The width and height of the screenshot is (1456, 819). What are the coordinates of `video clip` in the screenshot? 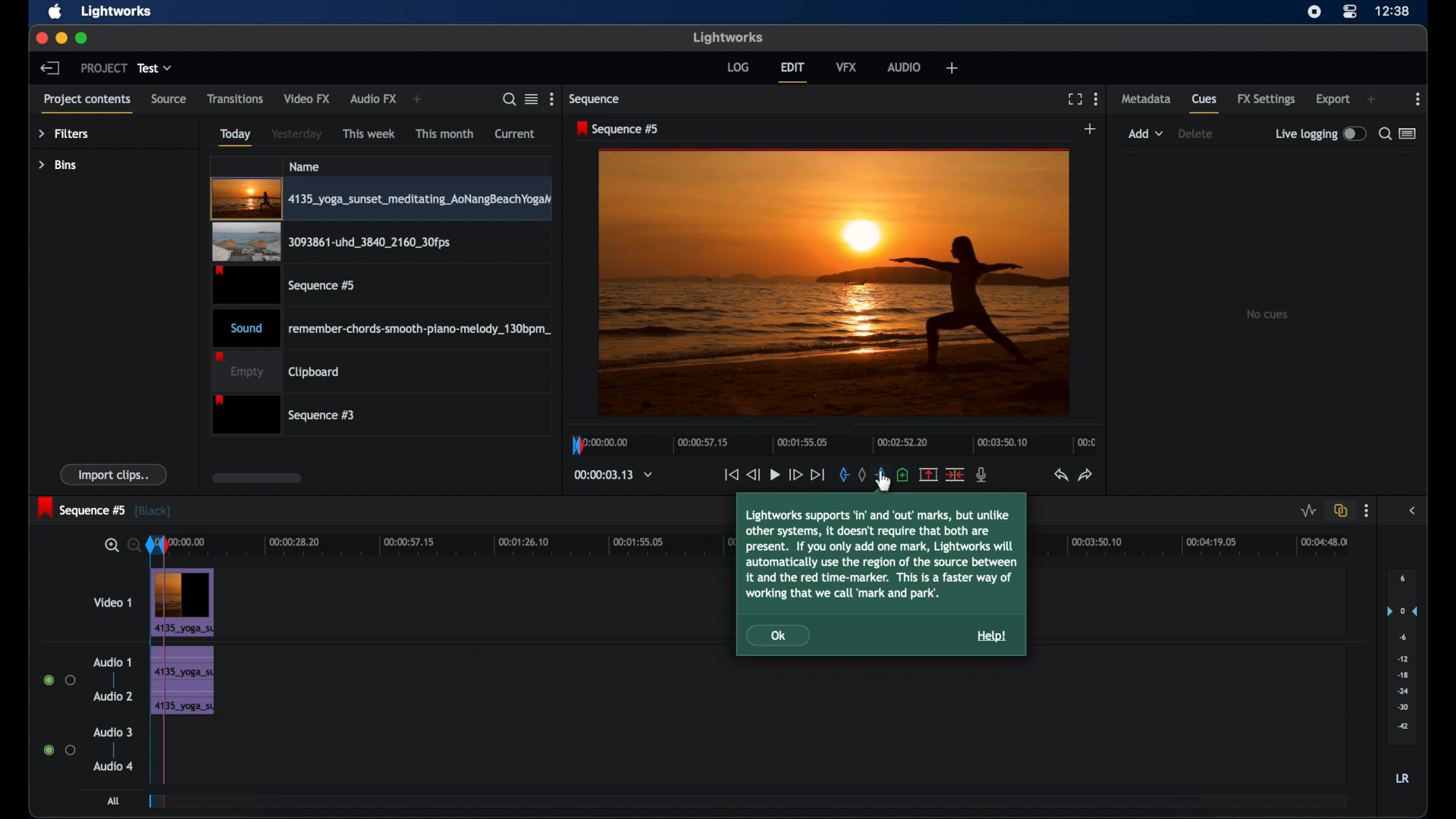 It's located at (331, 243).